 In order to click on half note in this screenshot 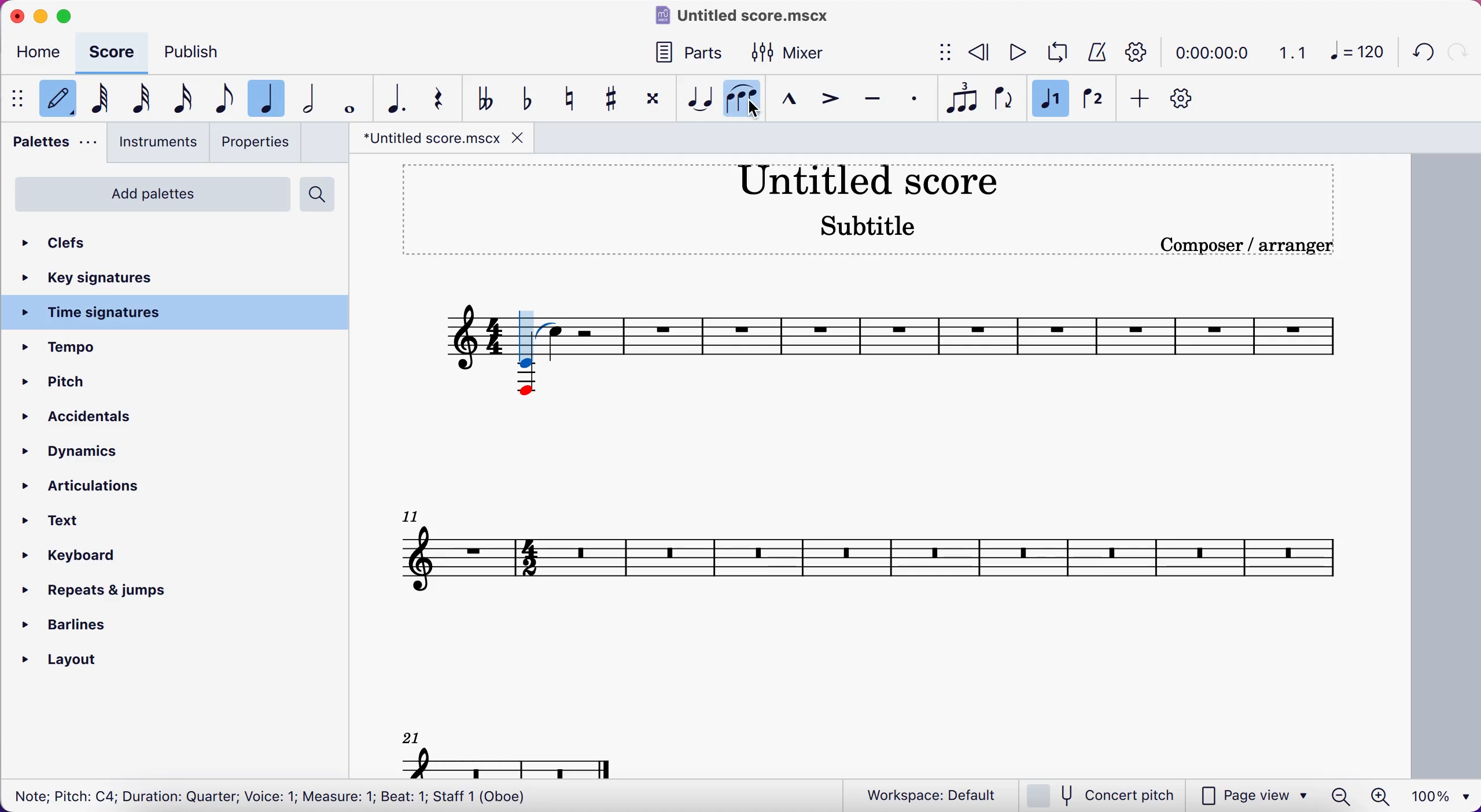, I will do `click(312, 96)`.